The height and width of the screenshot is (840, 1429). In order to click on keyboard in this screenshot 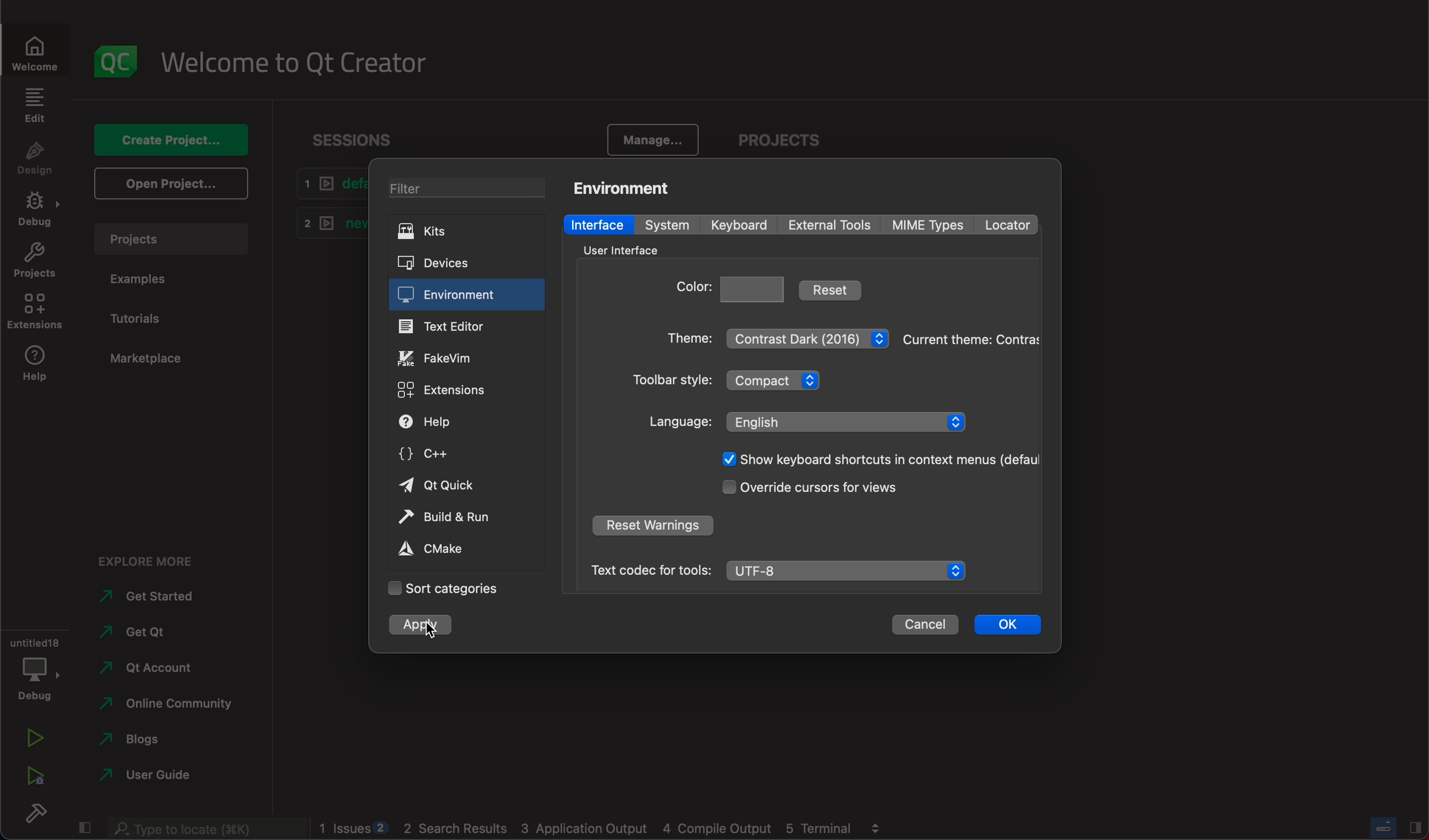, I will do `click(740, 226)`.